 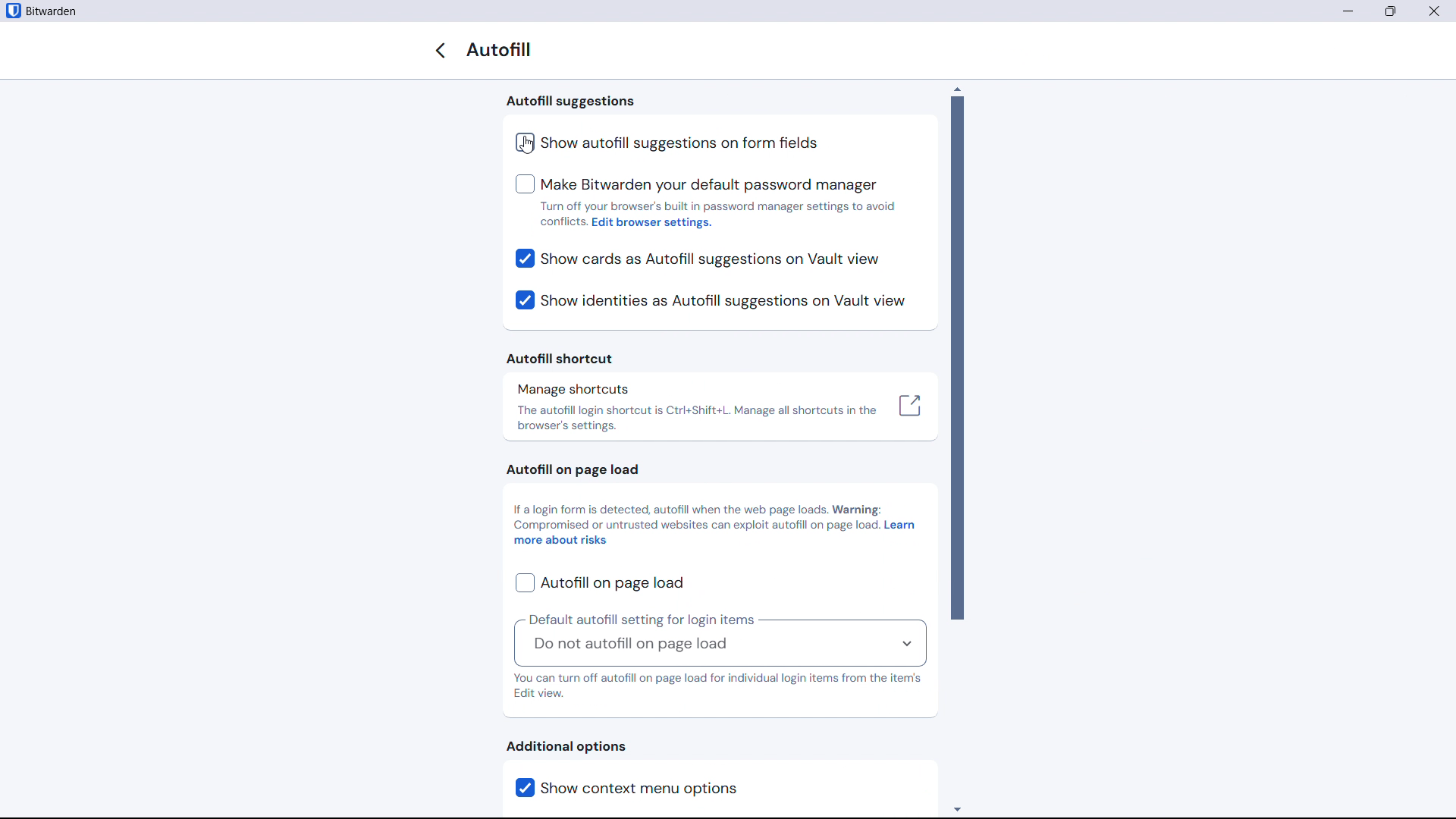 I want to click on If a login from is dictated auto fill when the web page loads. Warning, compromised or untrusted websites can exploit auto fill on page load, so click(x=695, y=516).